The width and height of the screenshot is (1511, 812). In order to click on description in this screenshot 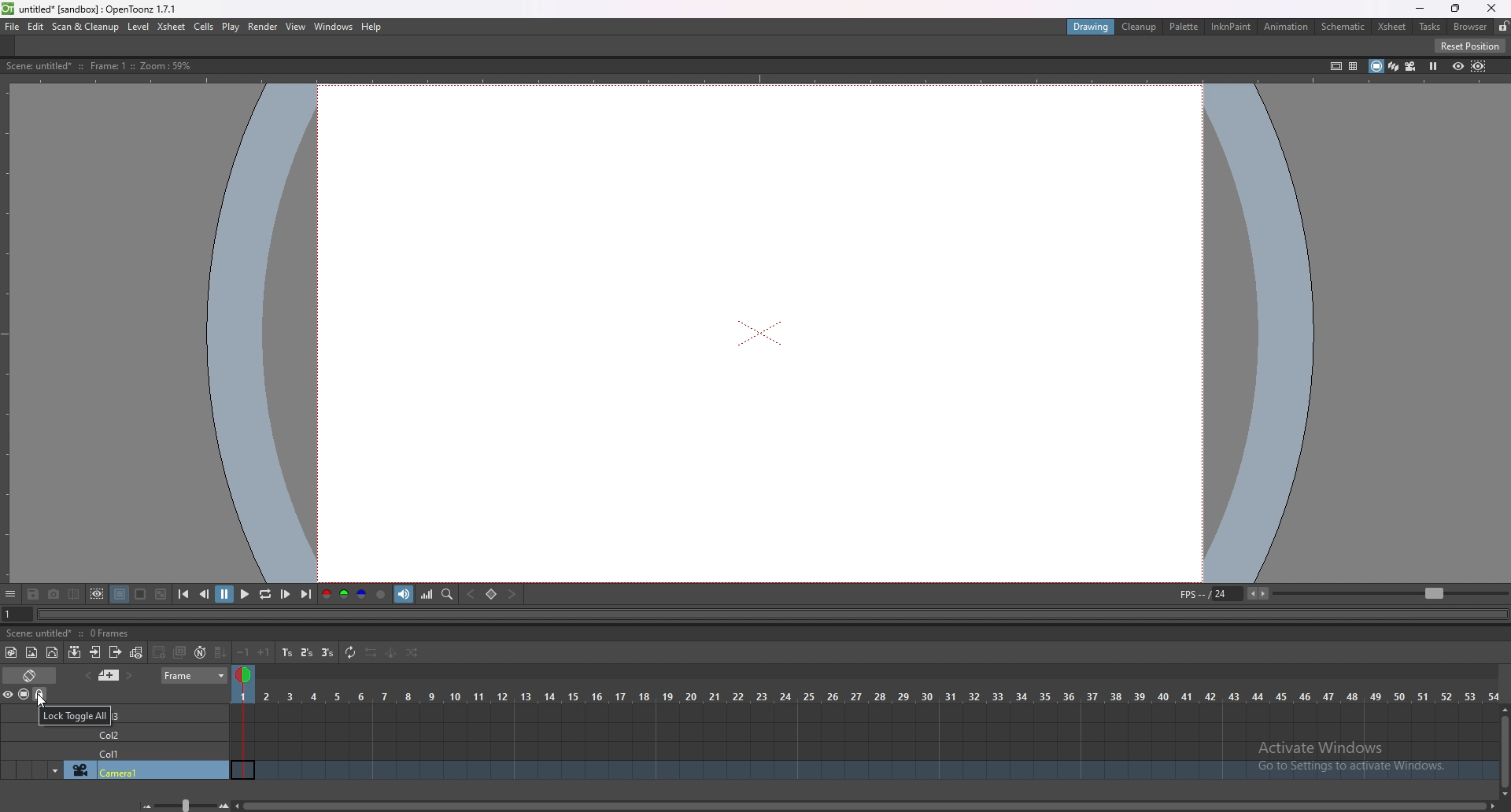, I will do `click(71, 633)`.